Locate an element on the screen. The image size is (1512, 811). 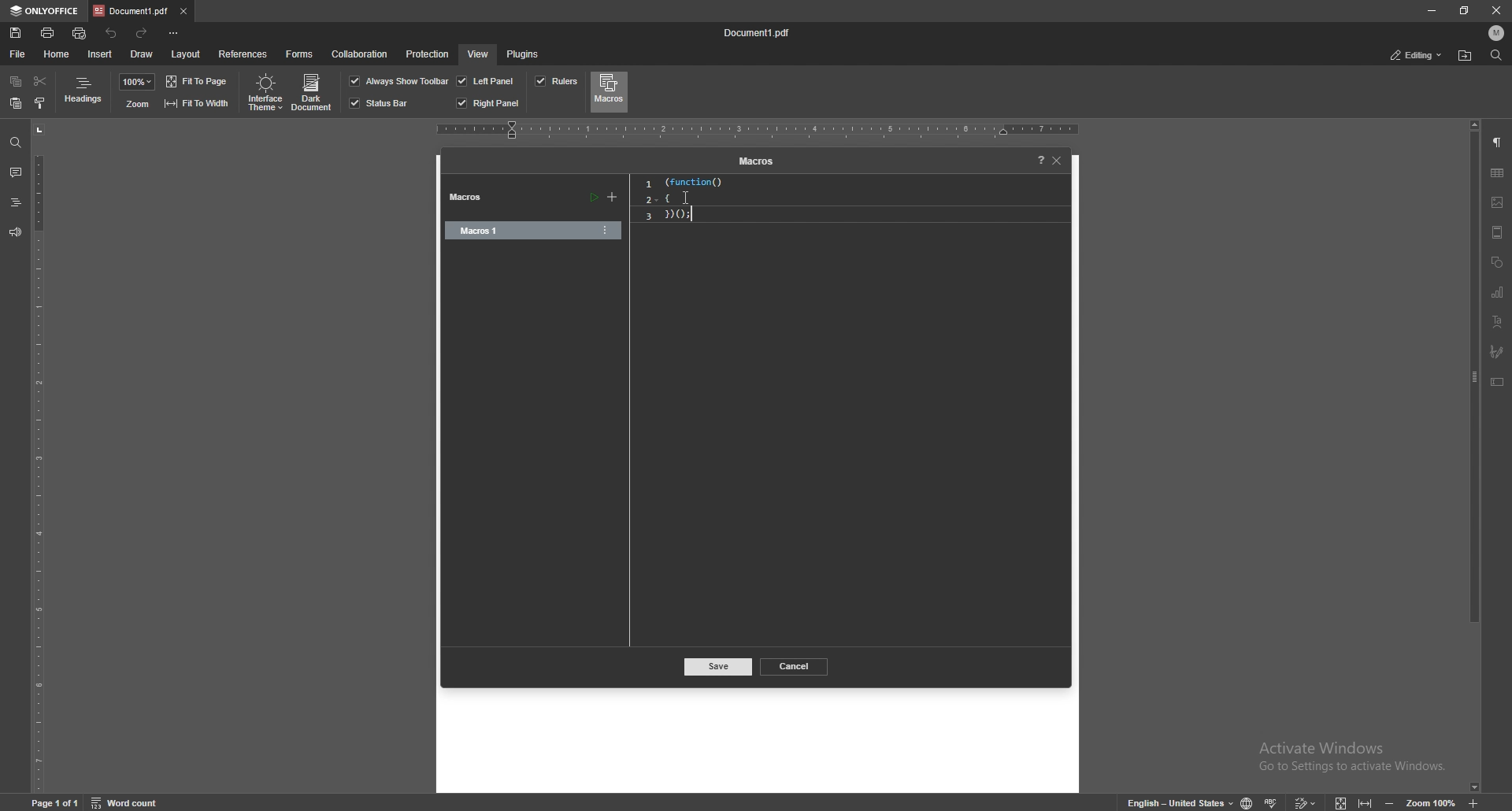
macro is located at coordinates (514, 231).